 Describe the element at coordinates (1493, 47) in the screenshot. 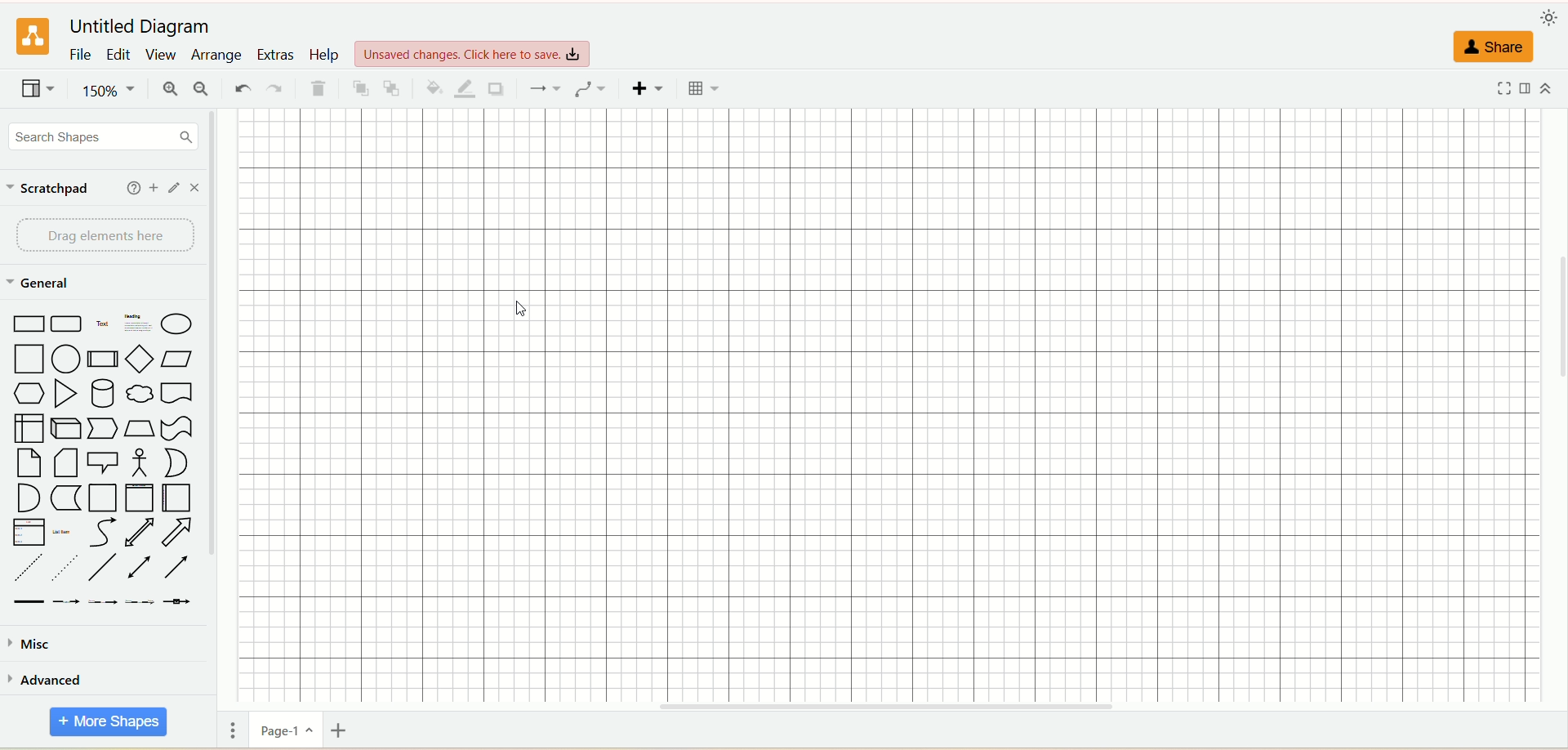

I see `share` at that location.